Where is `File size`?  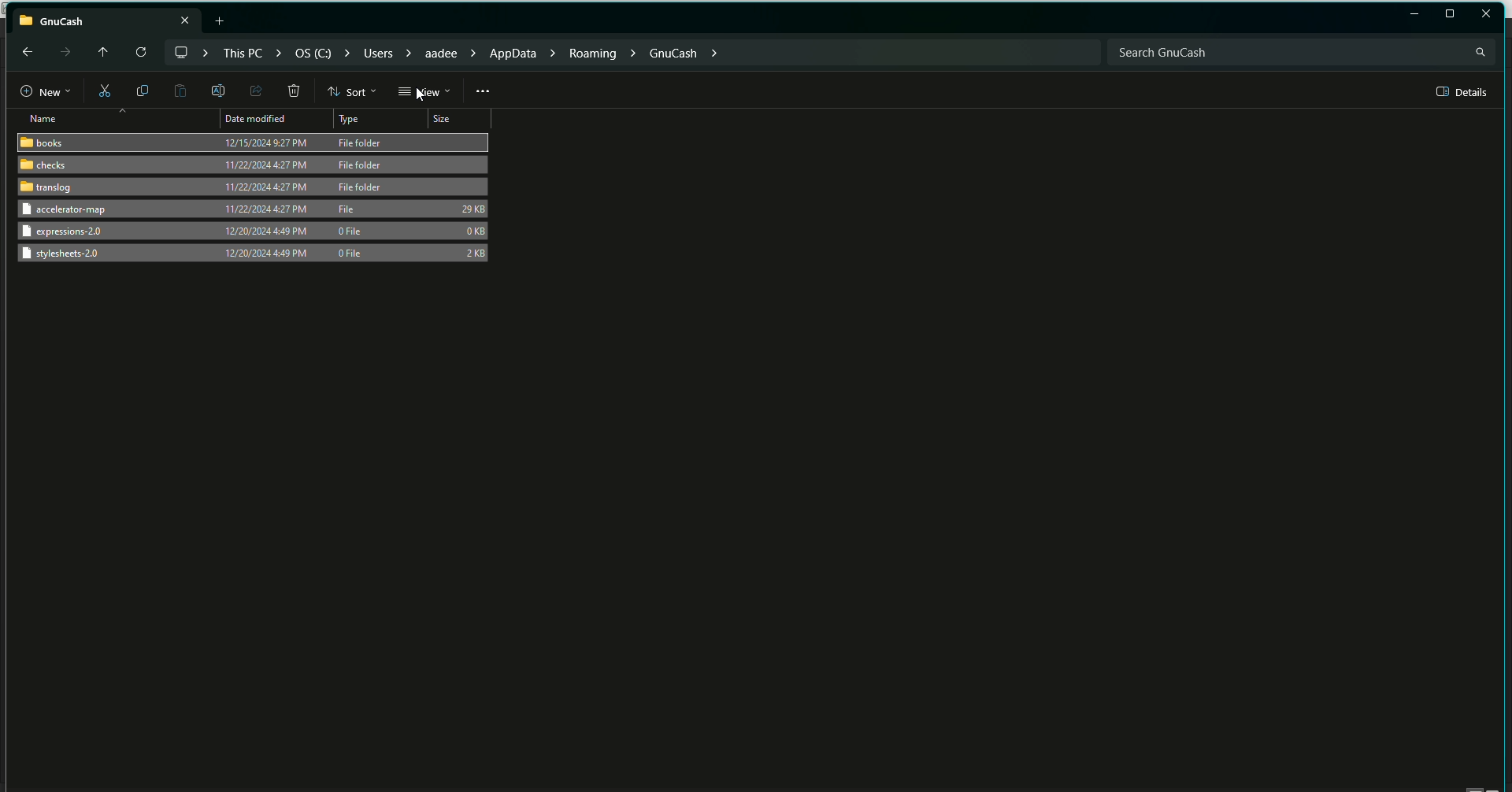 File size is located at coordinates (475, 231).